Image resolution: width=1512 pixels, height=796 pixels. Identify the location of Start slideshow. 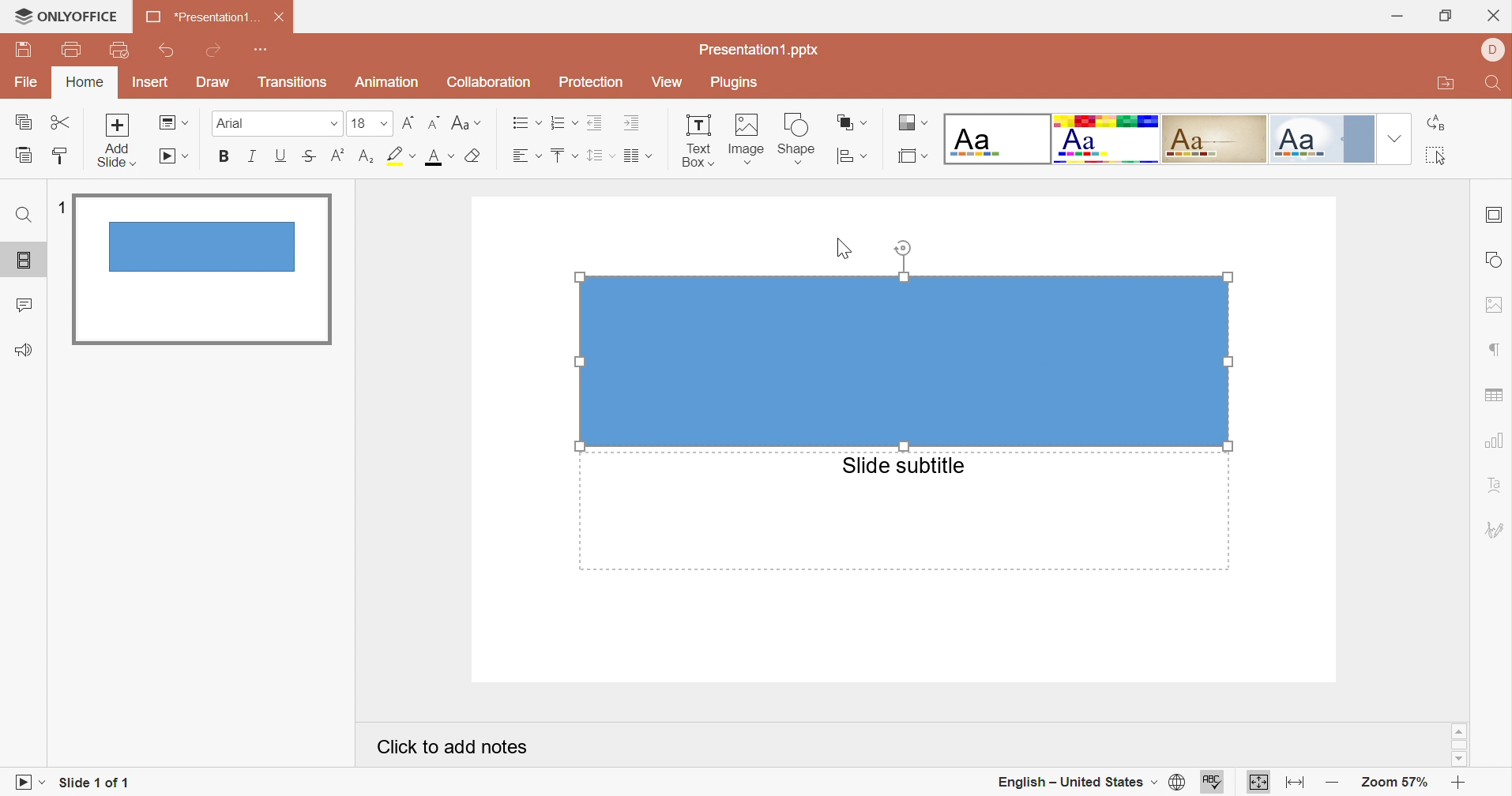
(27, 784).